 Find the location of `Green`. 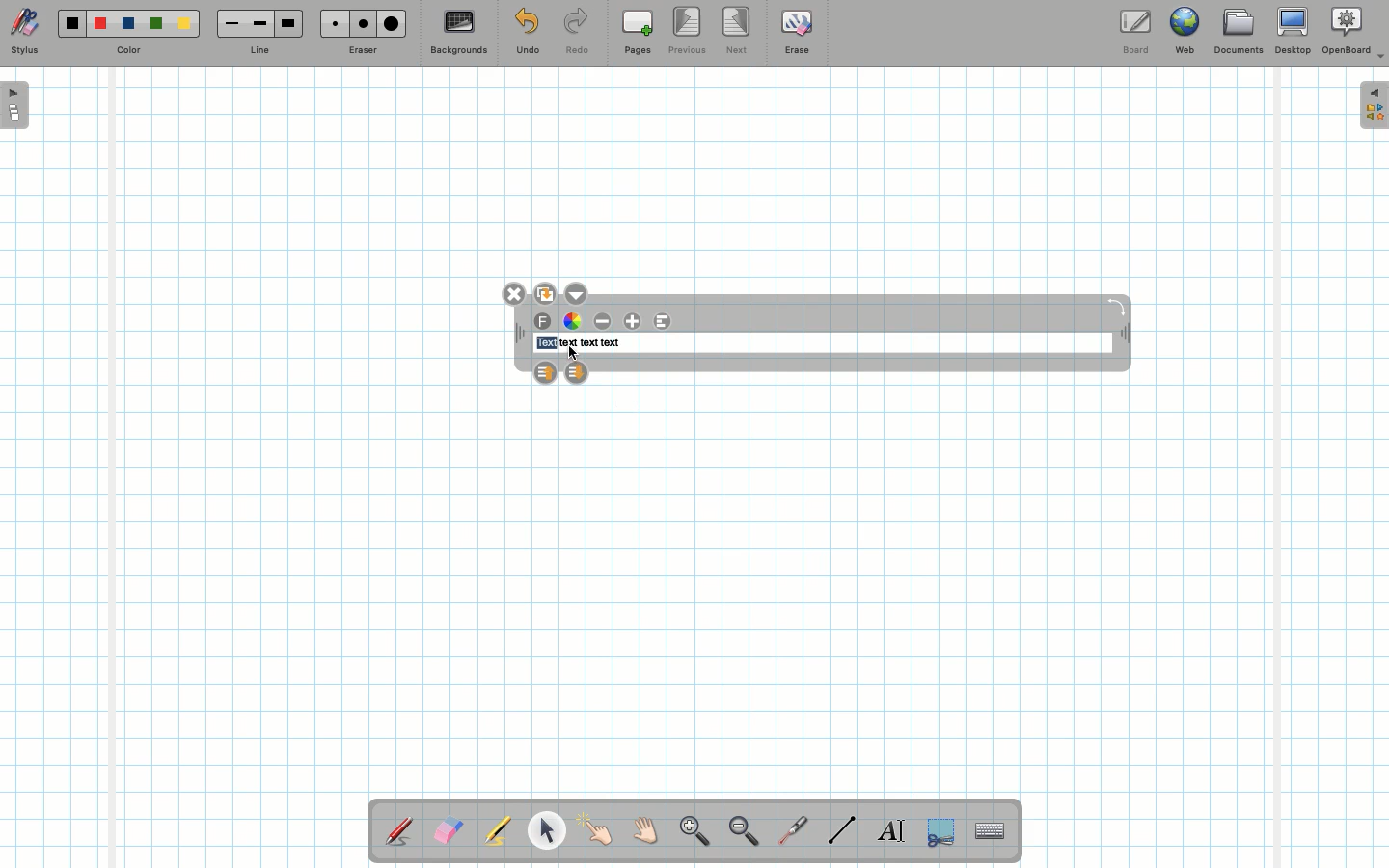

Green is located at coordinates (156, 25).